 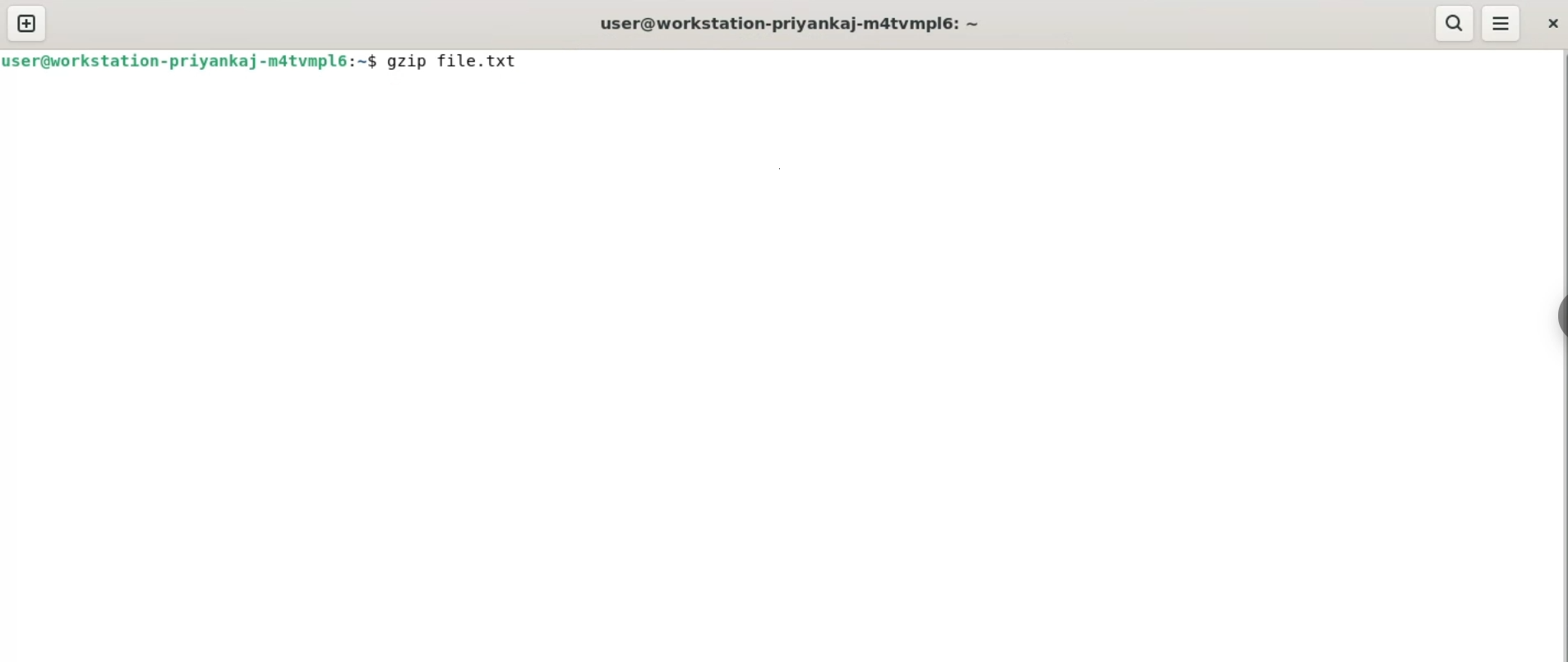 What do you see at coordinates (469, 62) in the screenshot?
I see `gzip file.txt` at bounding box center [469, 62].